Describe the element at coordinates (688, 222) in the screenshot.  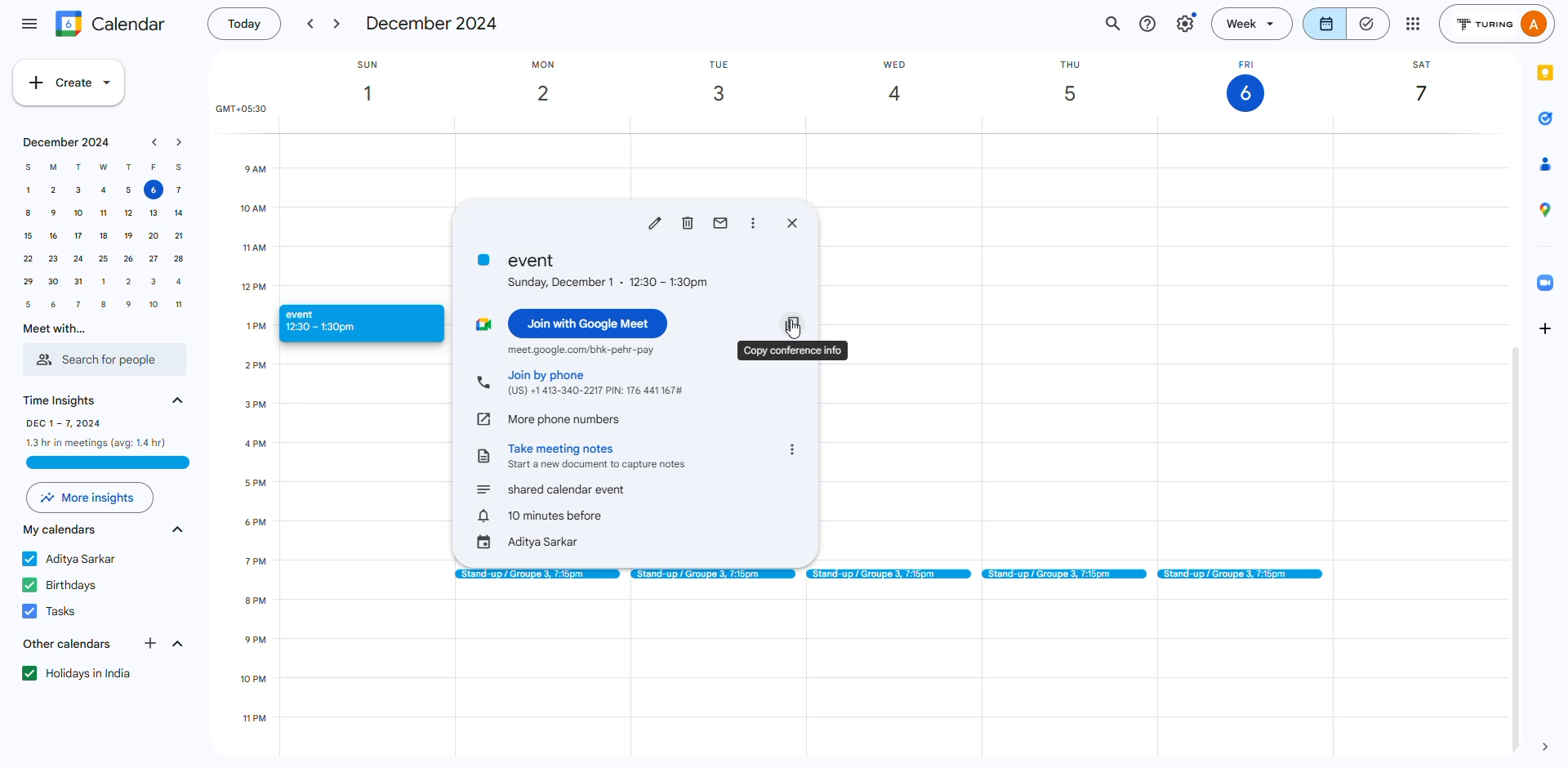
I see `delete` at that location.